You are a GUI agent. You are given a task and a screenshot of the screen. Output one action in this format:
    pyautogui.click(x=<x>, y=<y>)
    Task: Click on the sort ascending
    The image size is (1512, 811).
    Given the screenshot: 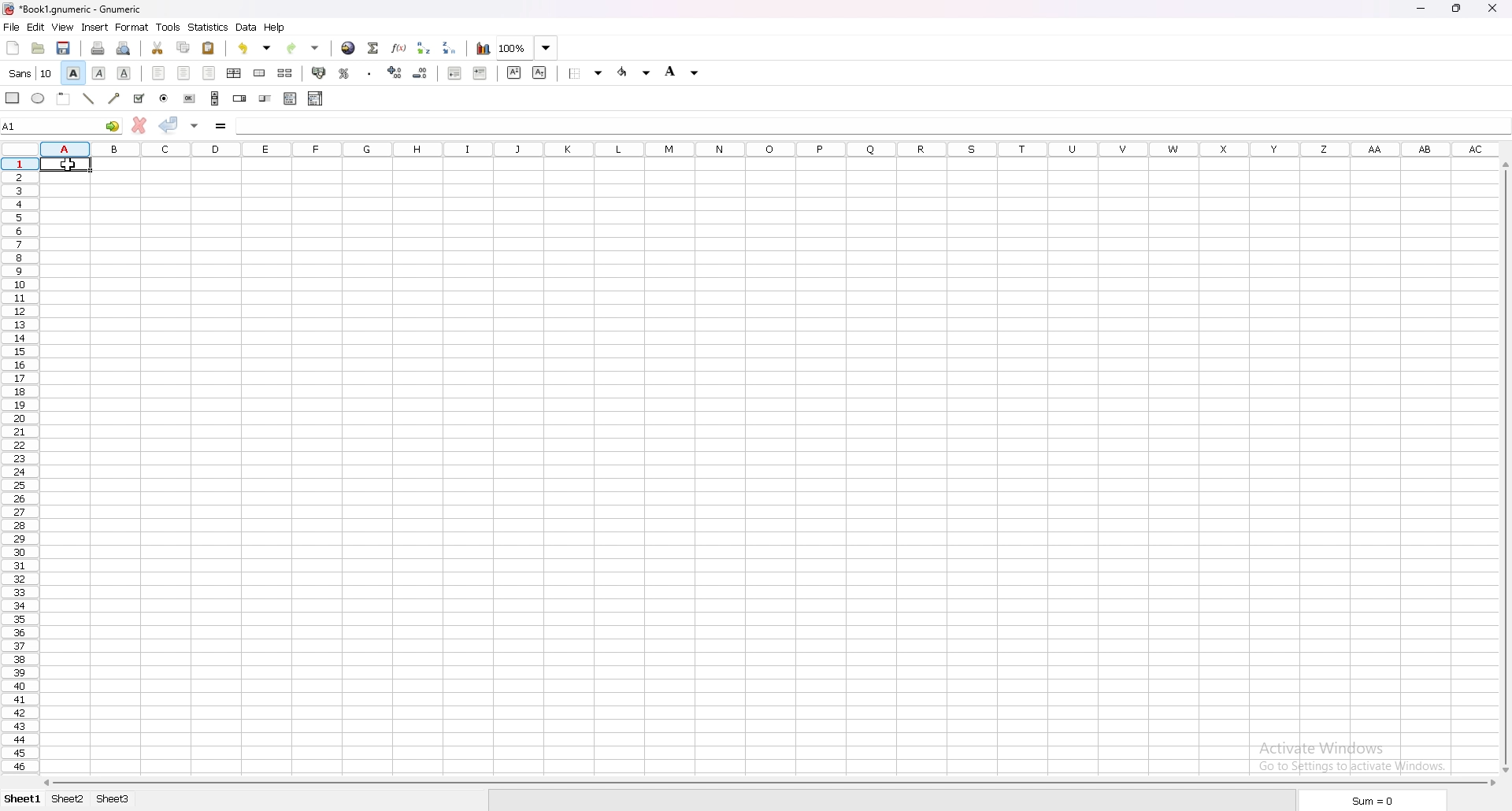 What is the action you would take?
    pyautogui.click(x=423, y=48)
    